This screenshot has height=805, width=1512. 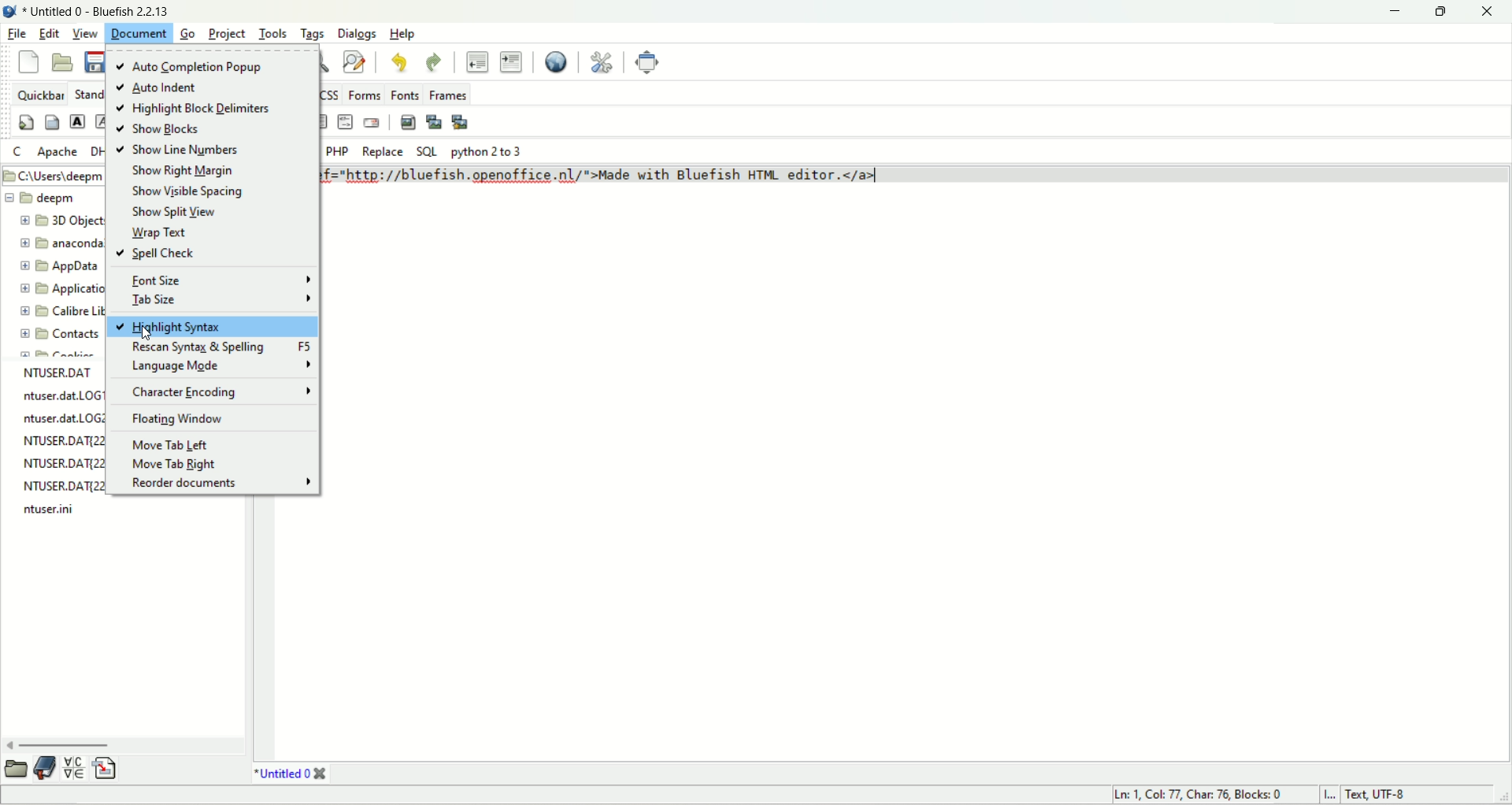 What do you see at coordinates (175, 211) in the screenshot?
I see `show split view` at bounding box center [175, 211].